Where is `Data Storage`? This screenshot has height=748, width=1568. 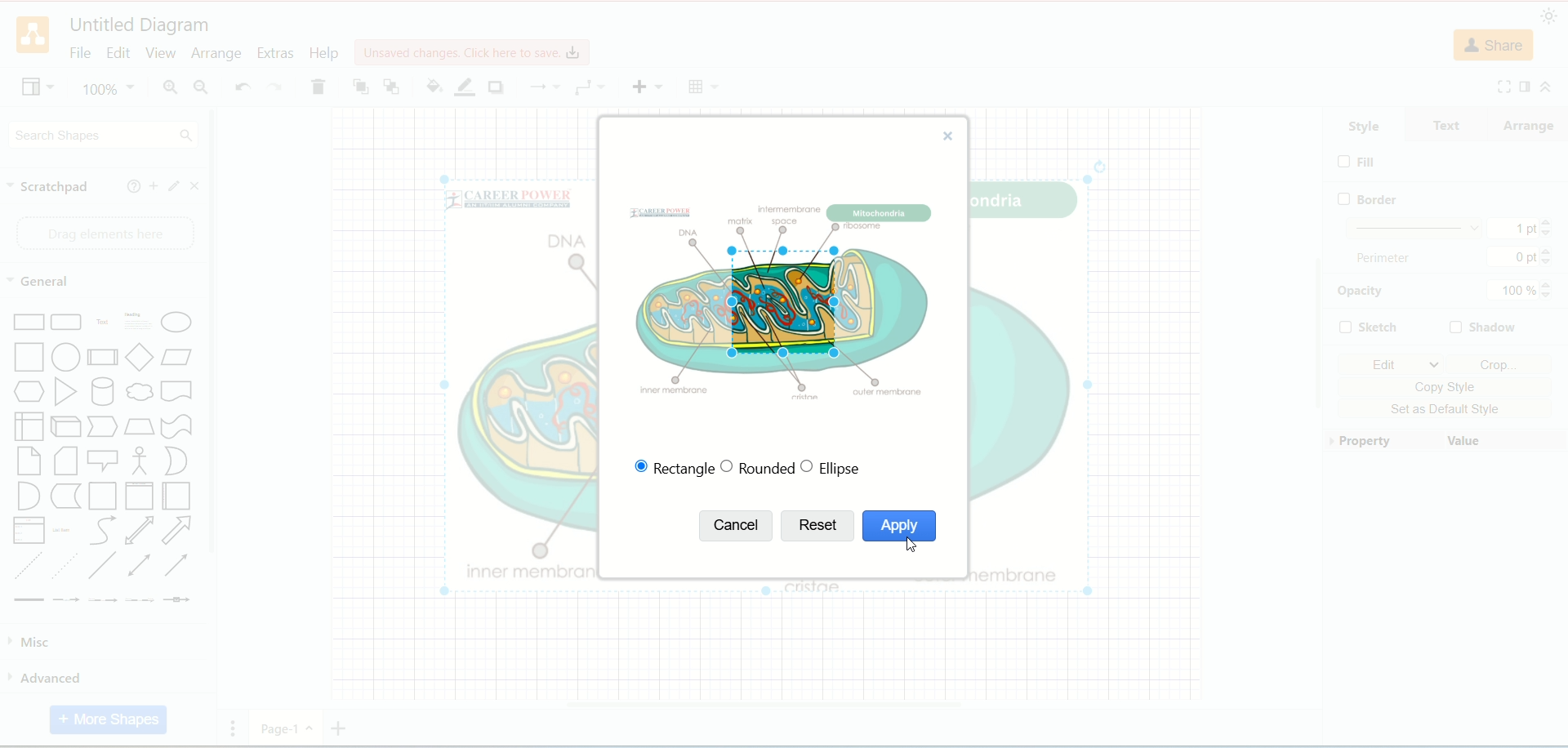 Data Storage is located at coordinates (65, 497).